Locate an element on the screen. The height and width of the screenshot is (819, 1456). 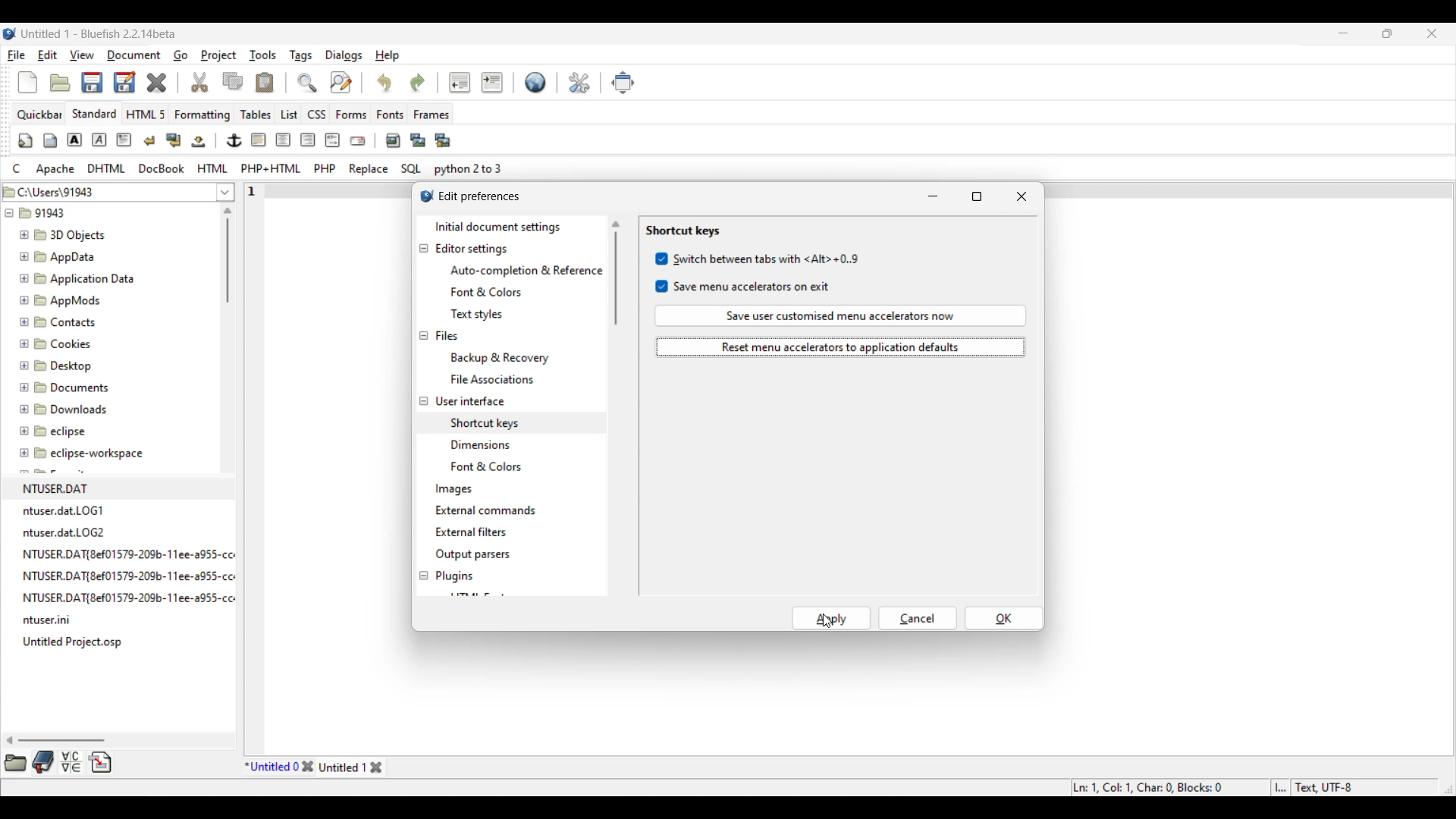
Apply is located at coordinates (832, 618).